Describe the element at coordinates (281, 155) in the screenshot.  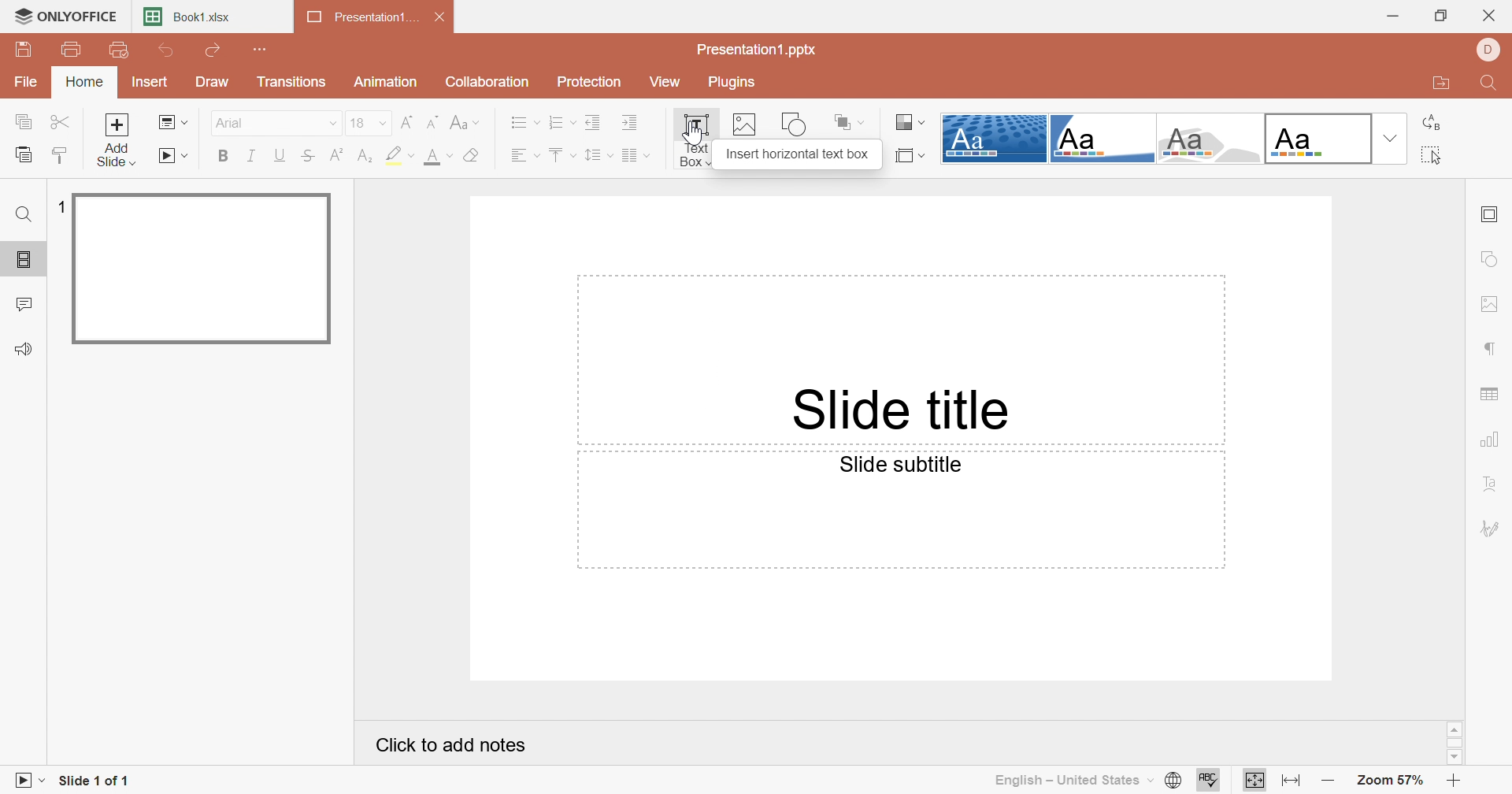
I see `Underline` at that location.